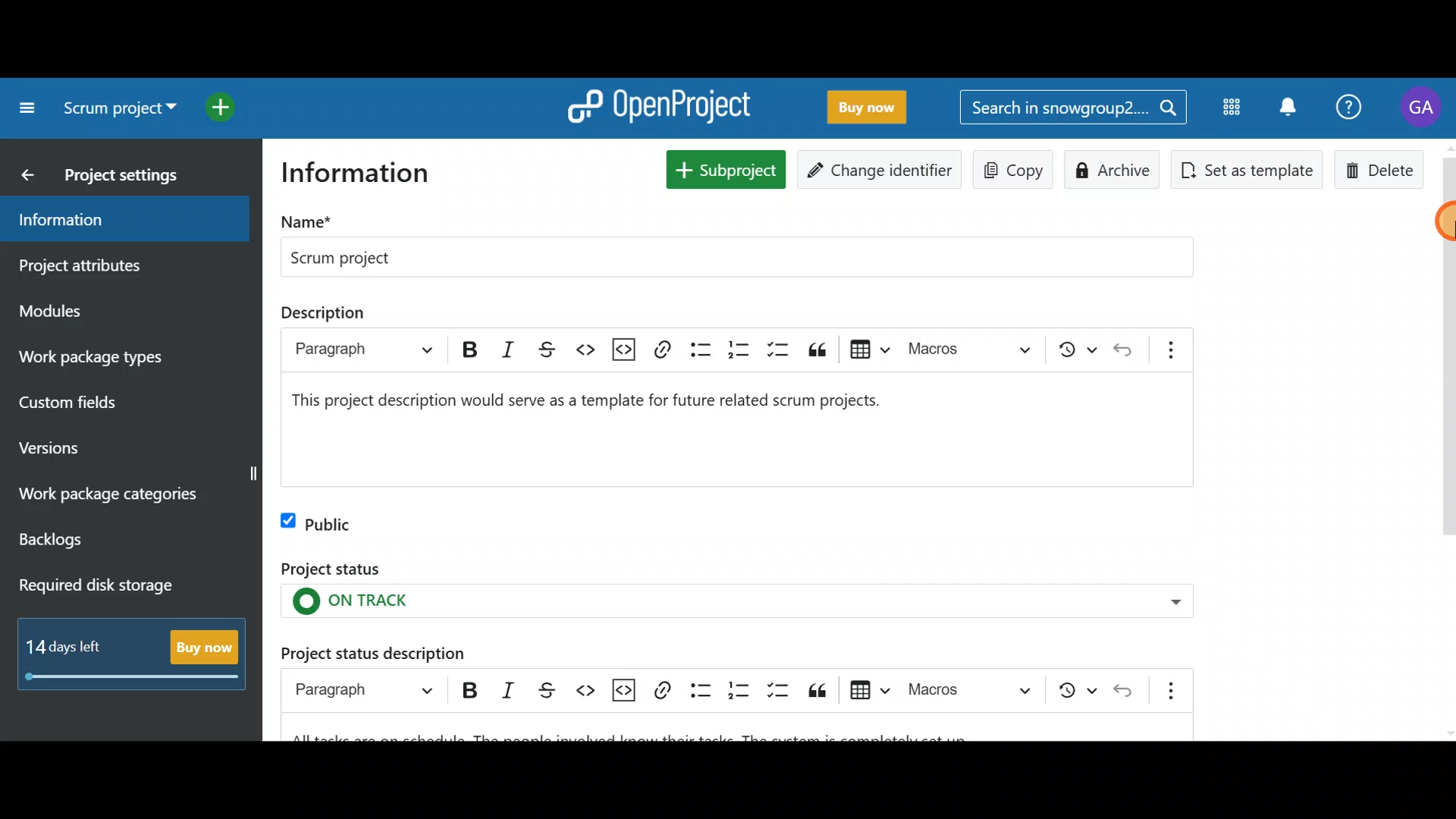 Image resolution: width=1456 pixels, height=819 pixels. Describe the element at coordinates (739, 349) in the screenshot. I see `numbered list` at that location.